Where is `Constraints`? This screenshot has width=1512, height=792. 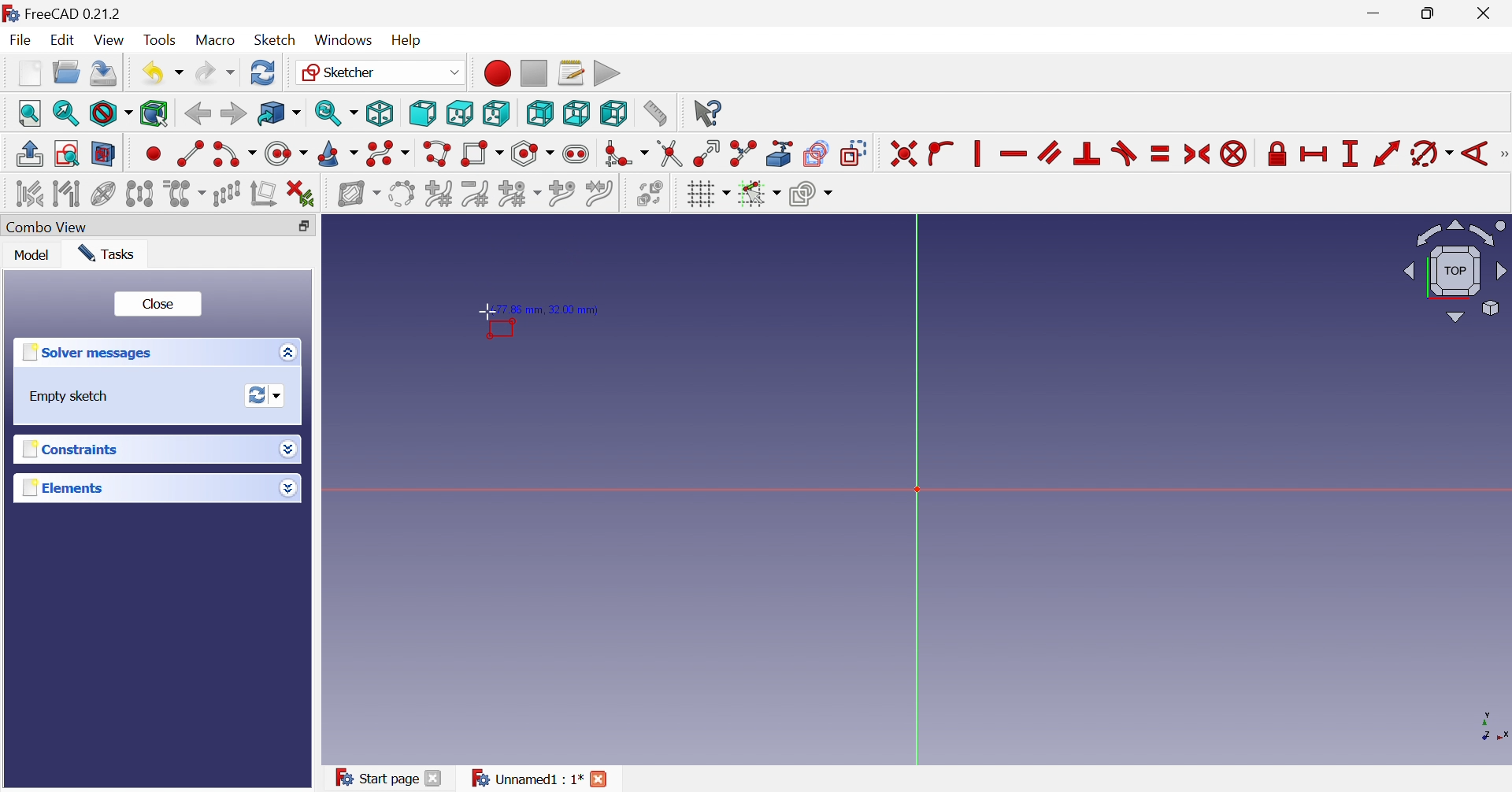
Constraints is located at coordinates (67, 451).